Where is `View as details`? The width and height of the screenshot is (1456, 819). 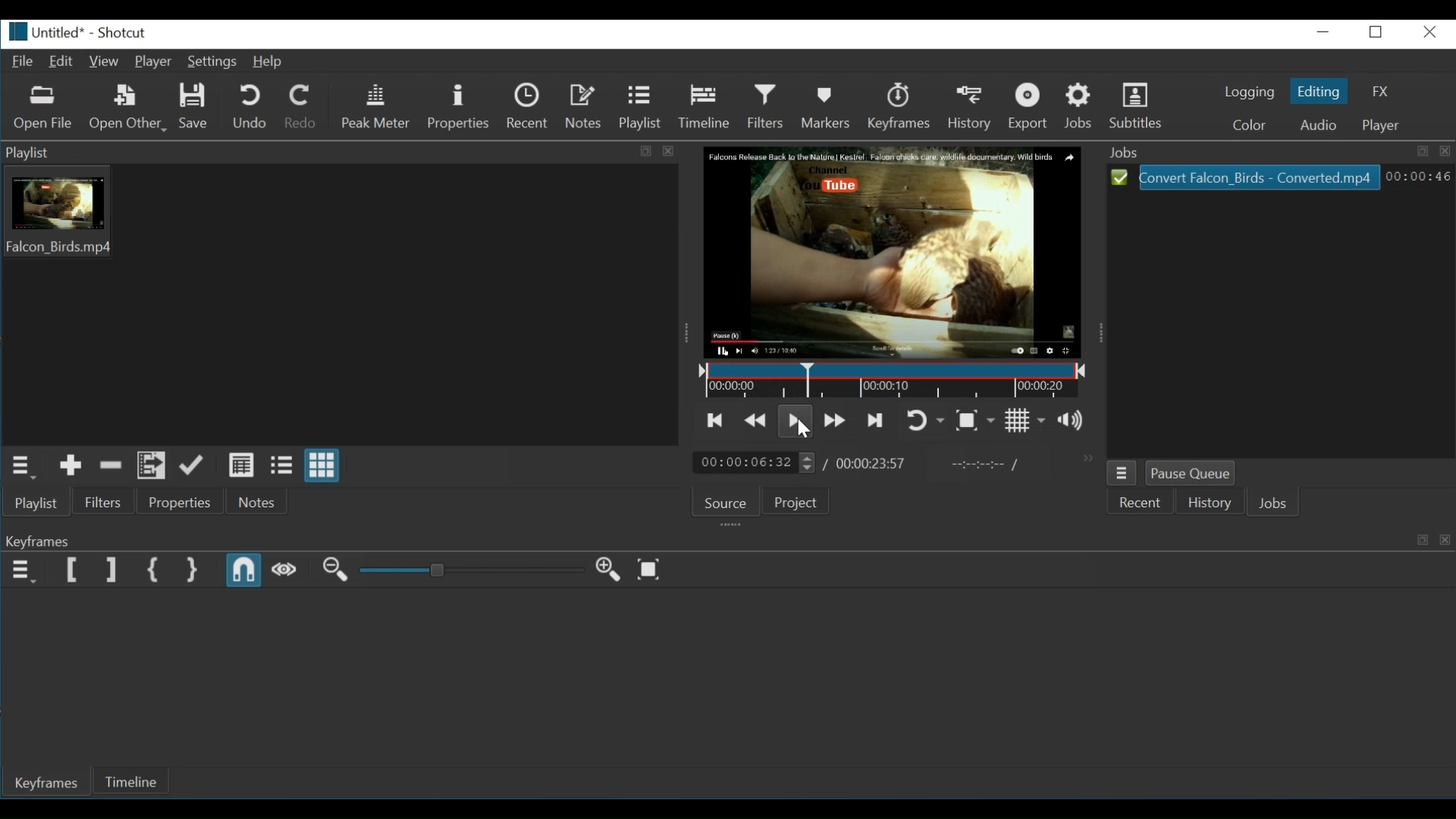 View as details is located at coordinates (240, 465).